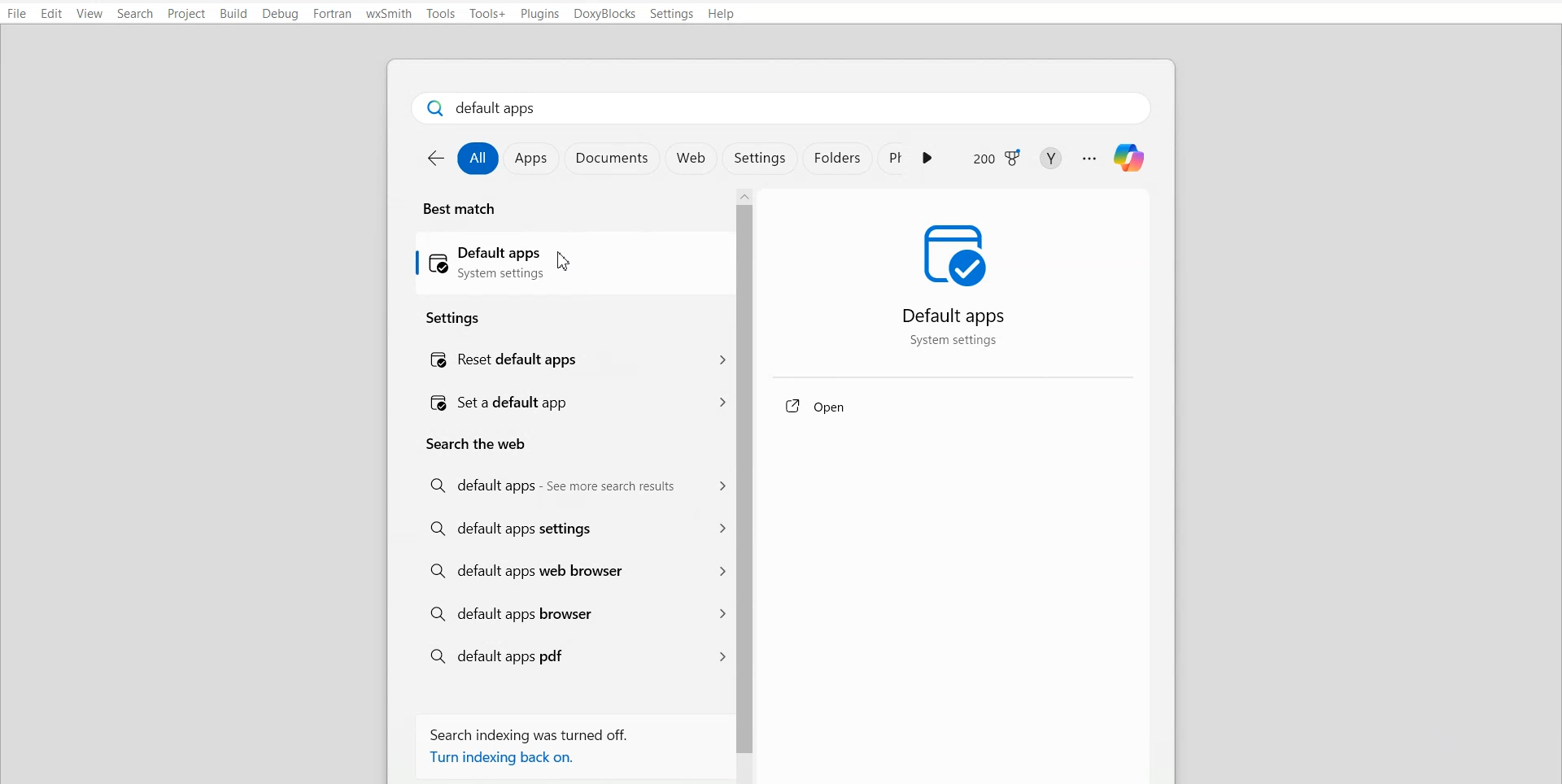 Image resolution: width=1562 pixels, height=784 pixels. I want to click on Text, so click(485, 109).